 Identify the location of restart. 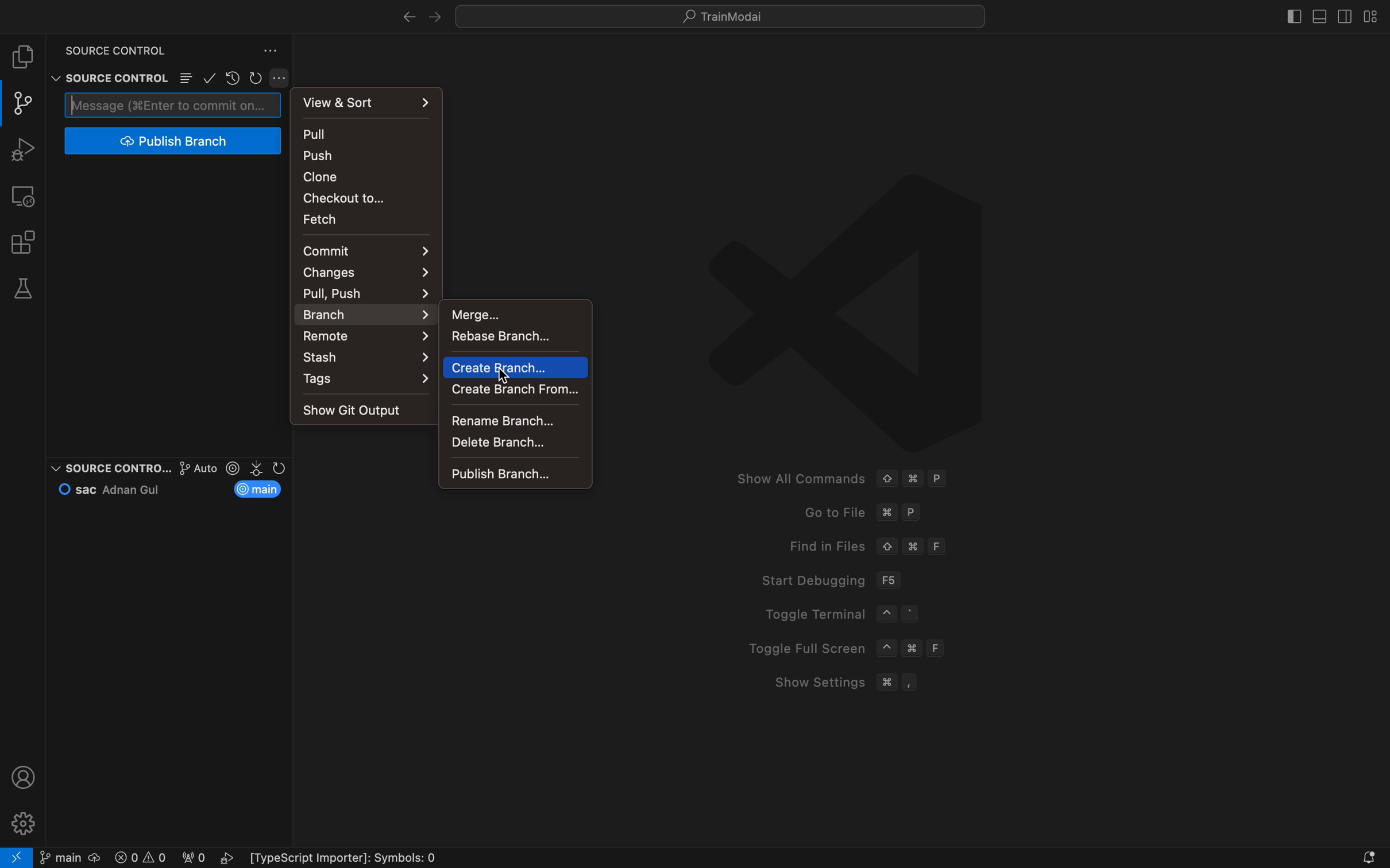
(257, 76).